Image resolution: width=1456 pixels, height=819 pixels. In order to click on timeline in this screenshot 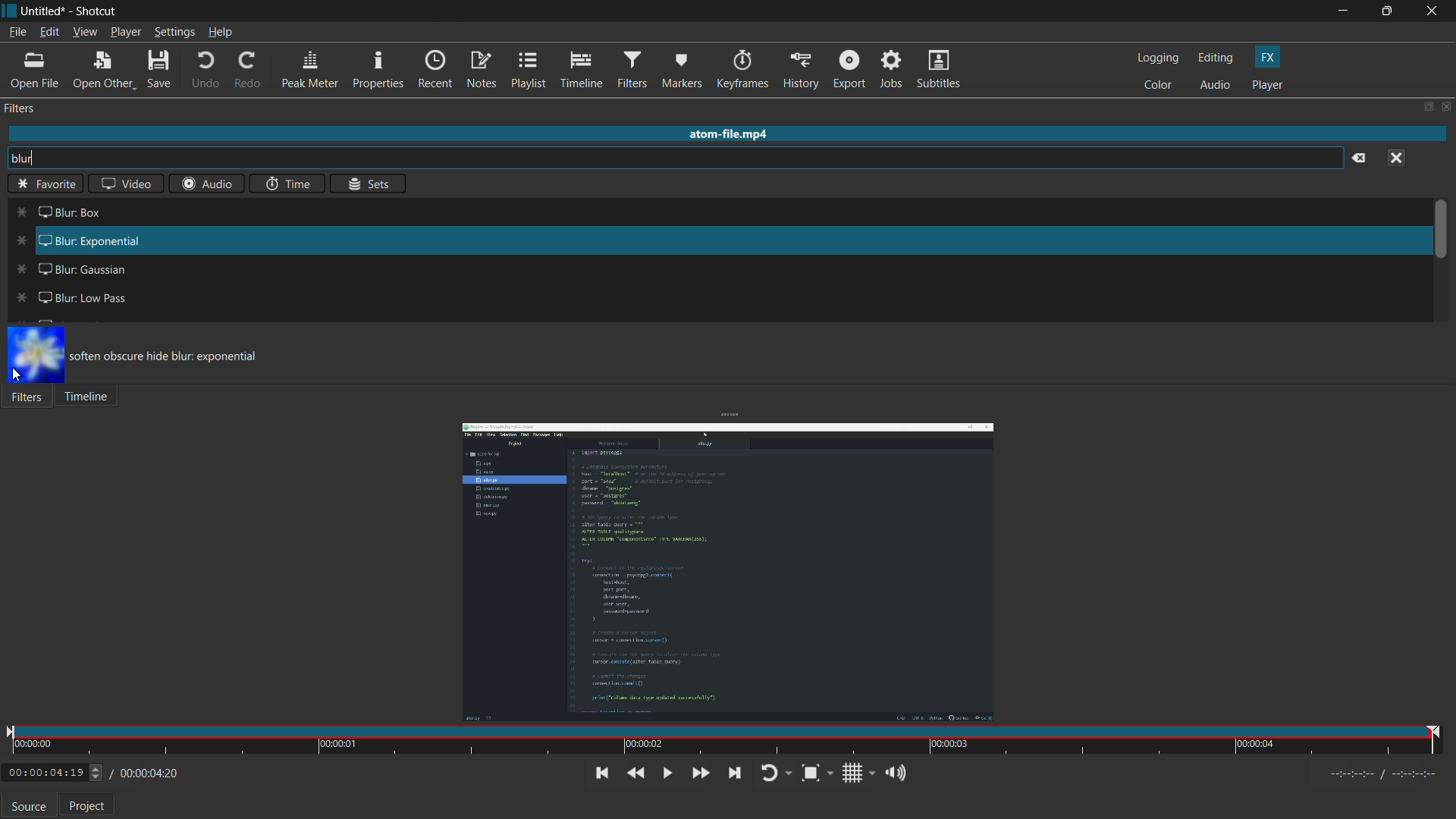, I will do `click(579, 71)`.